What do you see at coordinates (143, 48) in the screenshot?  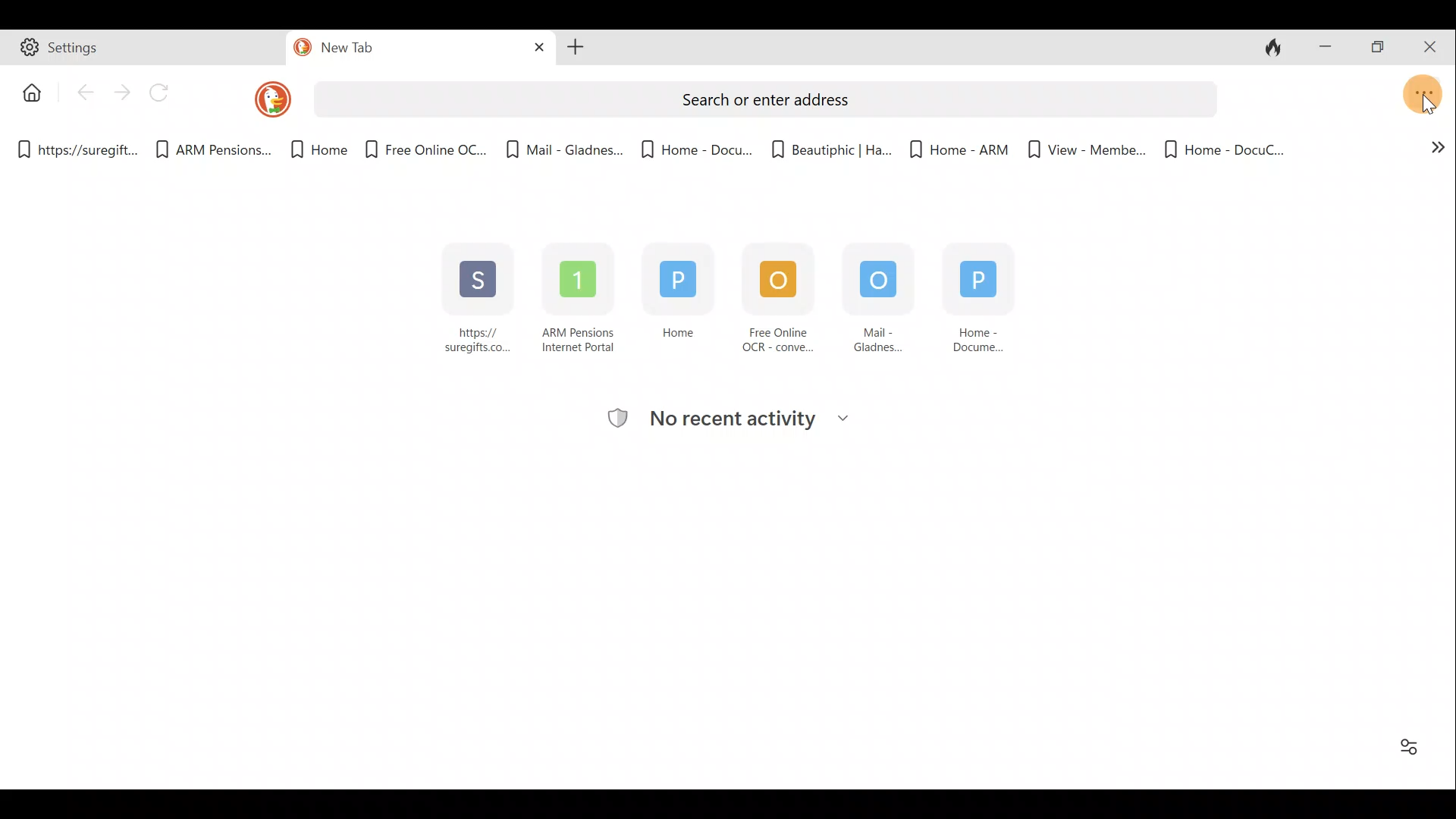 I see `Tab 1 ` at bounding box center [143, 48].